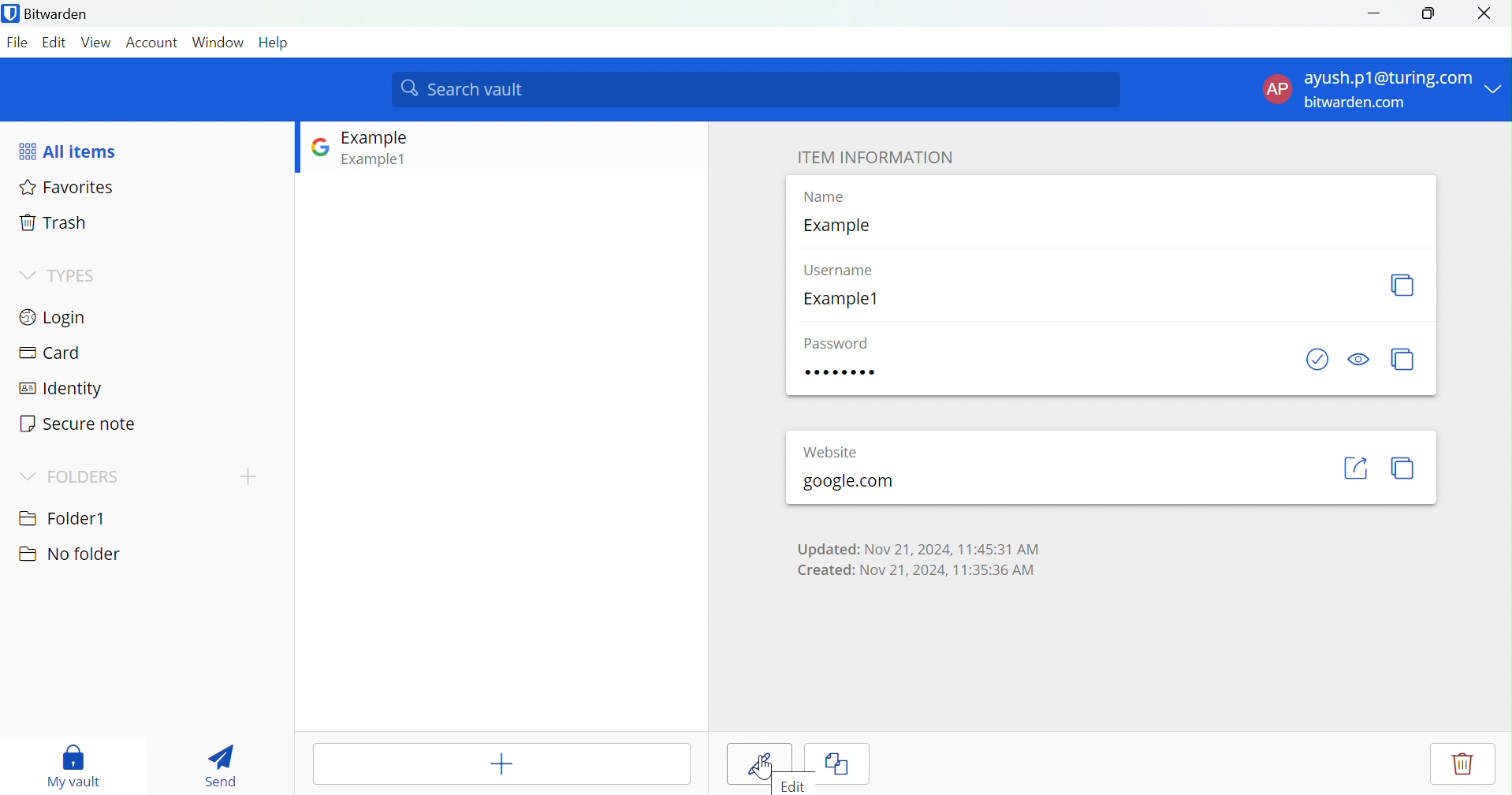 Image resolution: width=1512 pixels, height=795 pixels. Describe the element at coordinates (69, 554) in the screenshot. I see `No folder` at that location.